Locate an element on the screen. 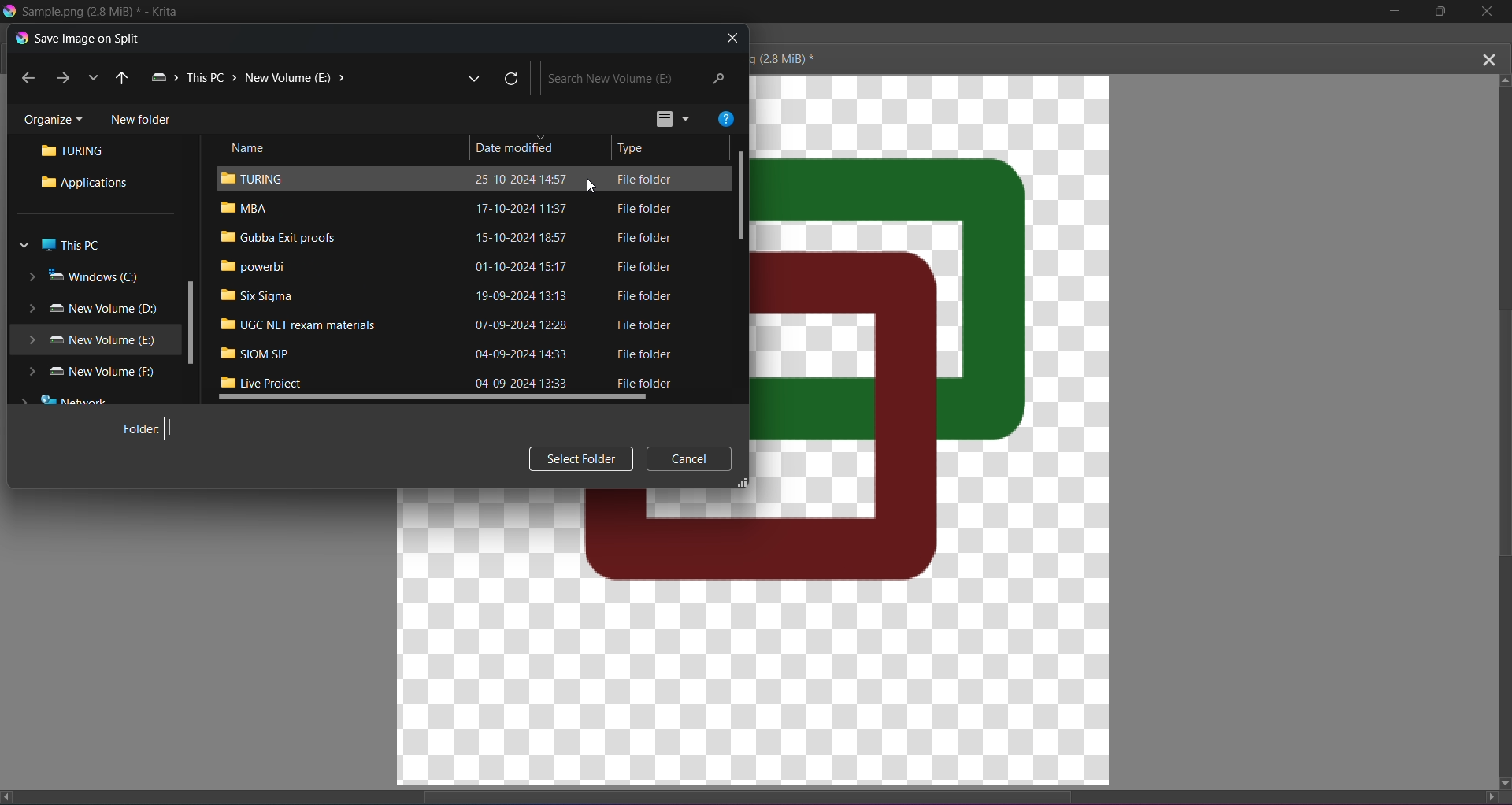 This screenshot has height=805, width=1512. Scrollbar is located at coordinates (184, 329).